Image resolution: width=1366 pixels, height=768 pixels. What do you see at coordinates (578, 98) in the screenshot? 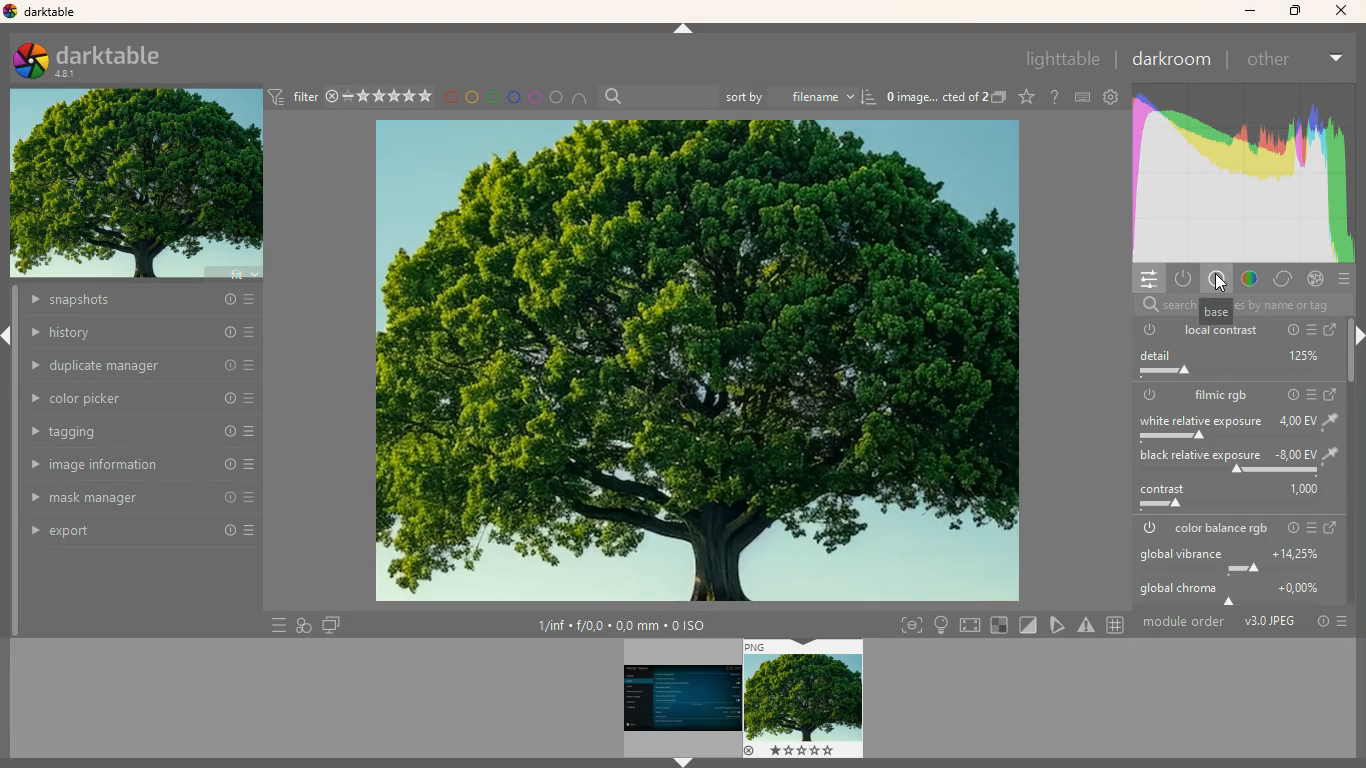
I see `semi circle` at bounding box center [578, 98].